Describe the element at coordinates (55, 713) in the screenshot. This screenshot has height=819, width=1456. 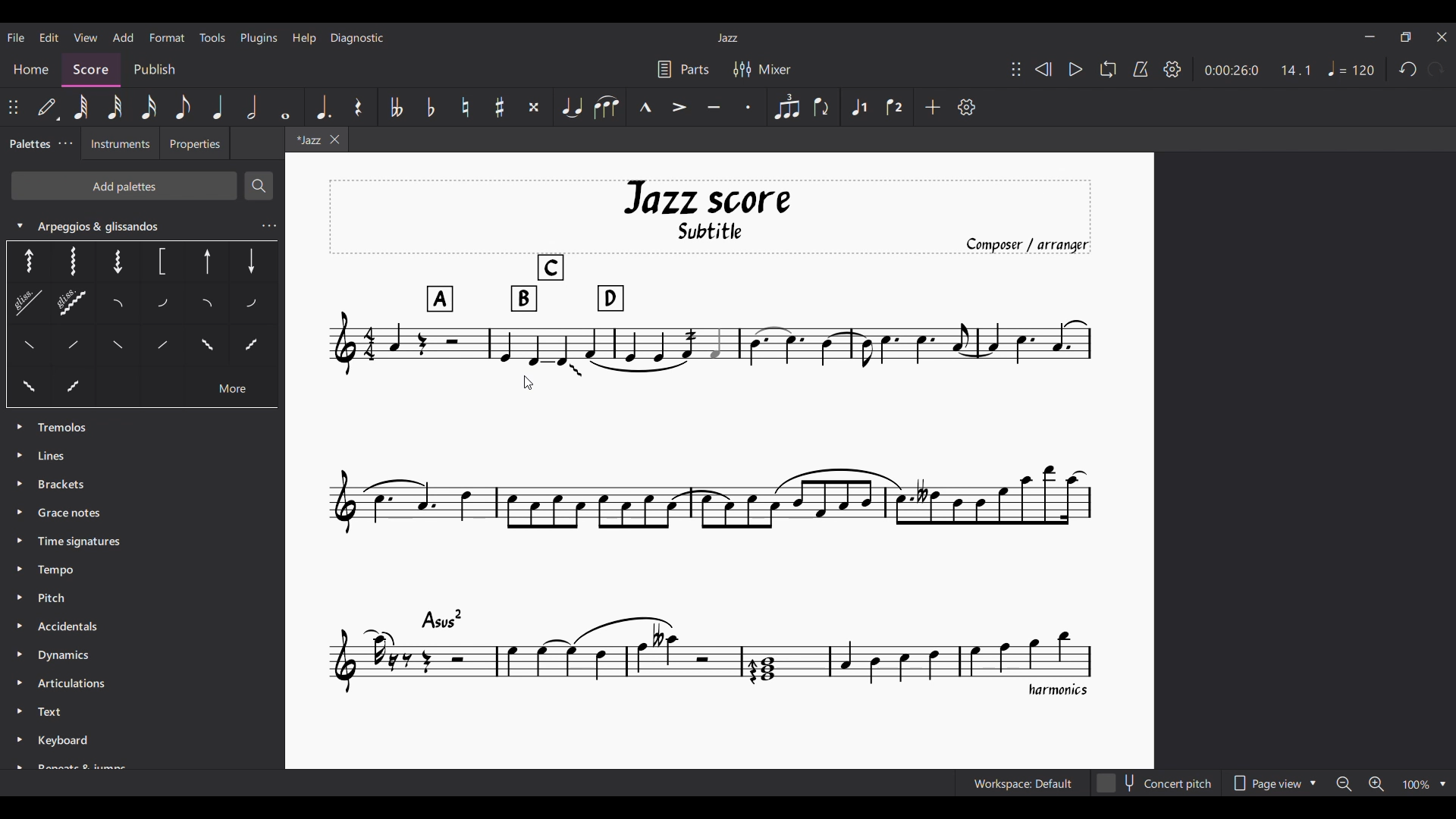
I see `Text` at that location.